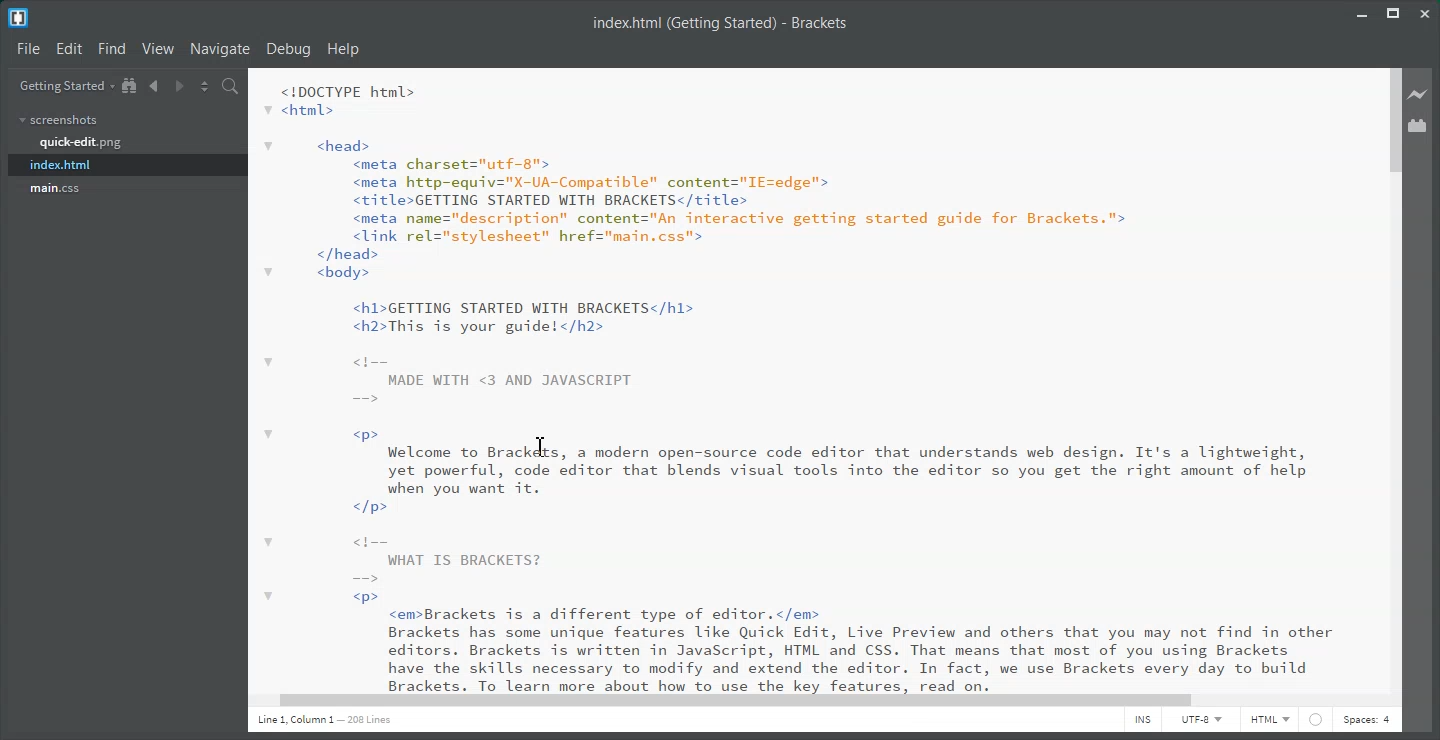 This screenshot has width=1440, height=740. Describe the element at coordinates (288, 49) in the screenshot. I see `Debug` at that location.